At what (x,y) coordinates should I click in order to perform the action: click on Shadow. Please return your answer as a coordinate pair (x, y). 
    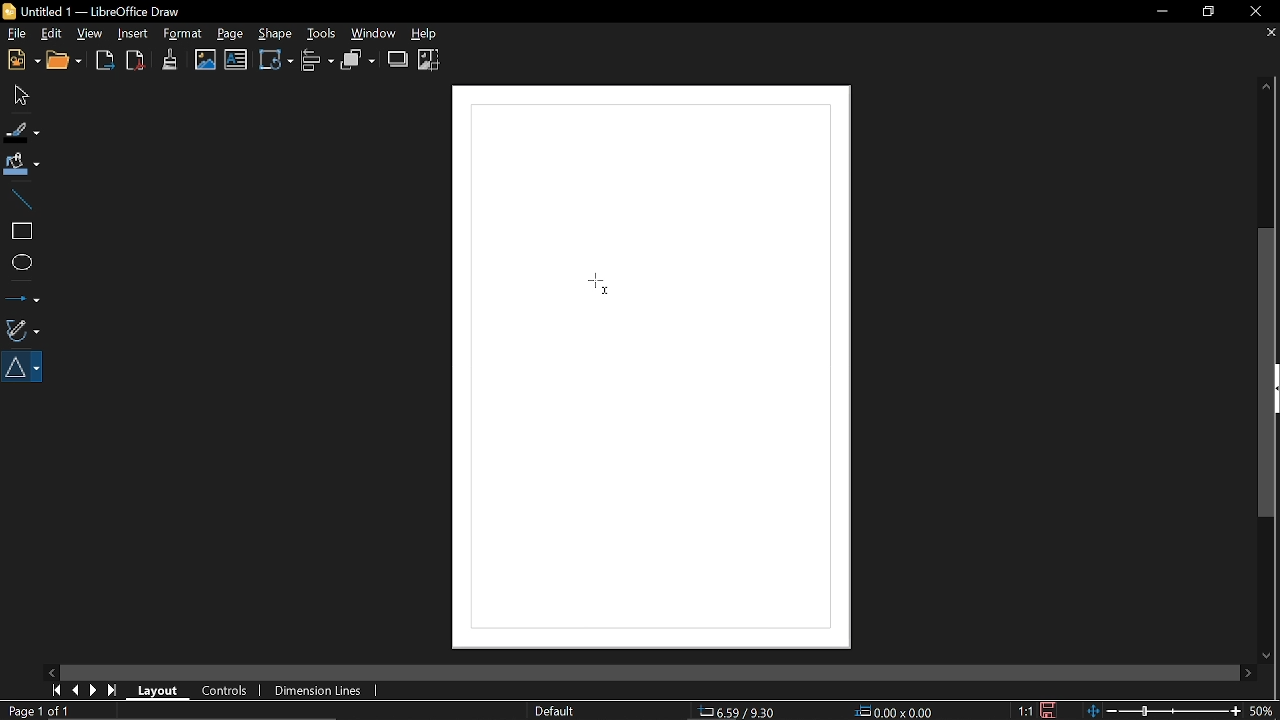
    Looking at the image, I should click on (398, 59).